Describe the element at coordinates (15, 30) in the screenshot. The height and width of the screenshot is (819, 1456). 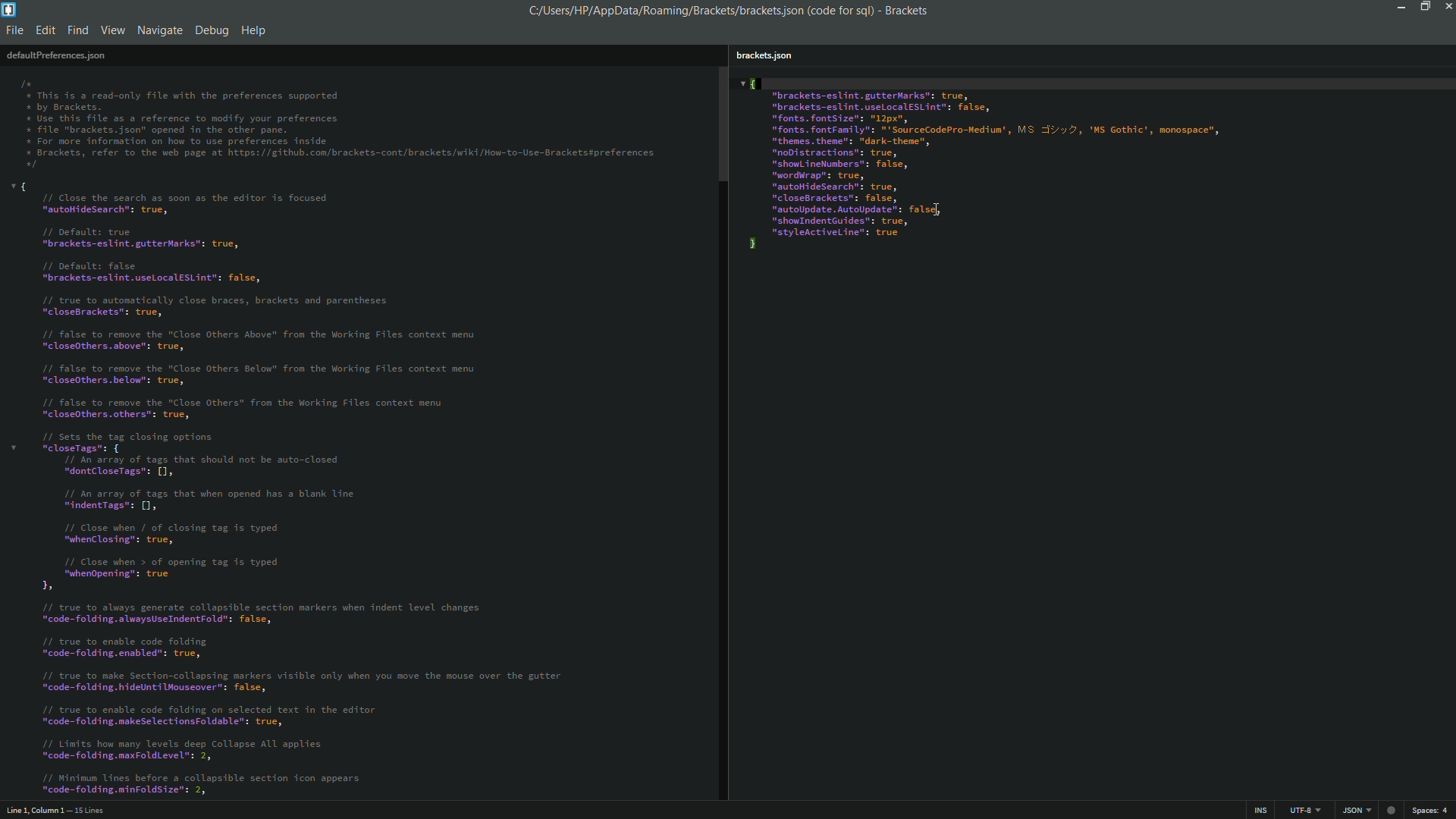
I see `file menu` at that location.